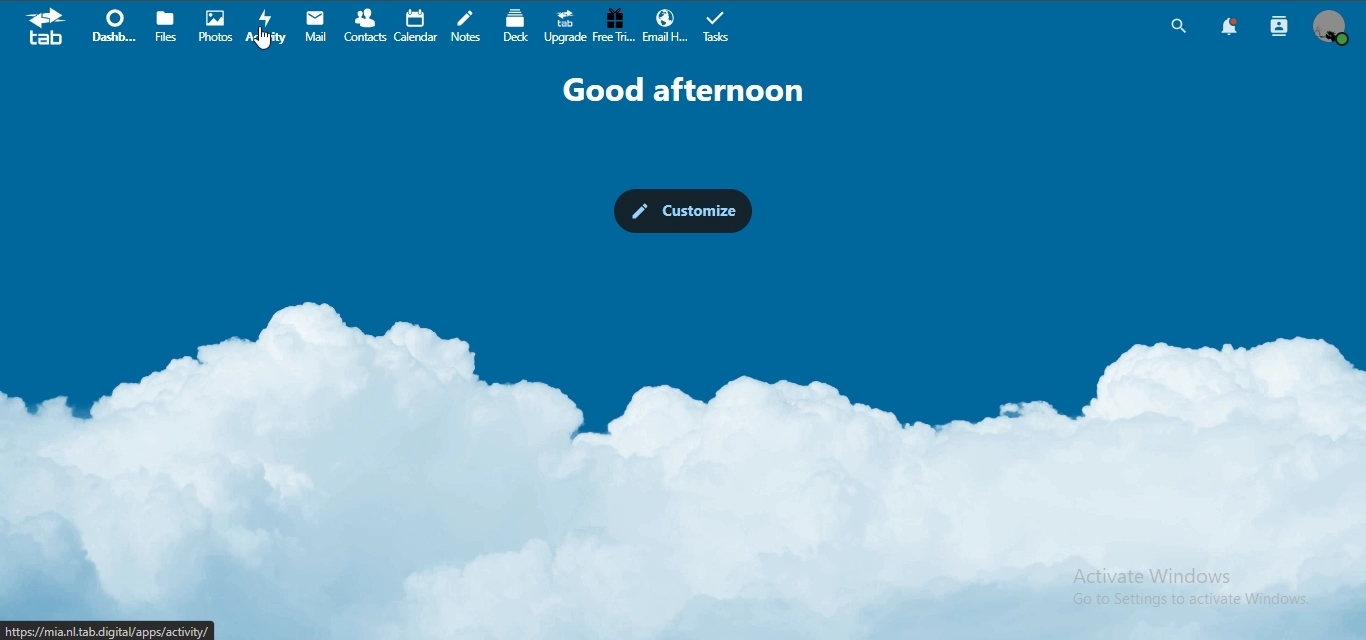 The image size is (1366, 640). Describe the element at coordinates (668, 26) in the screenshot. I see `email hosting` at that location.